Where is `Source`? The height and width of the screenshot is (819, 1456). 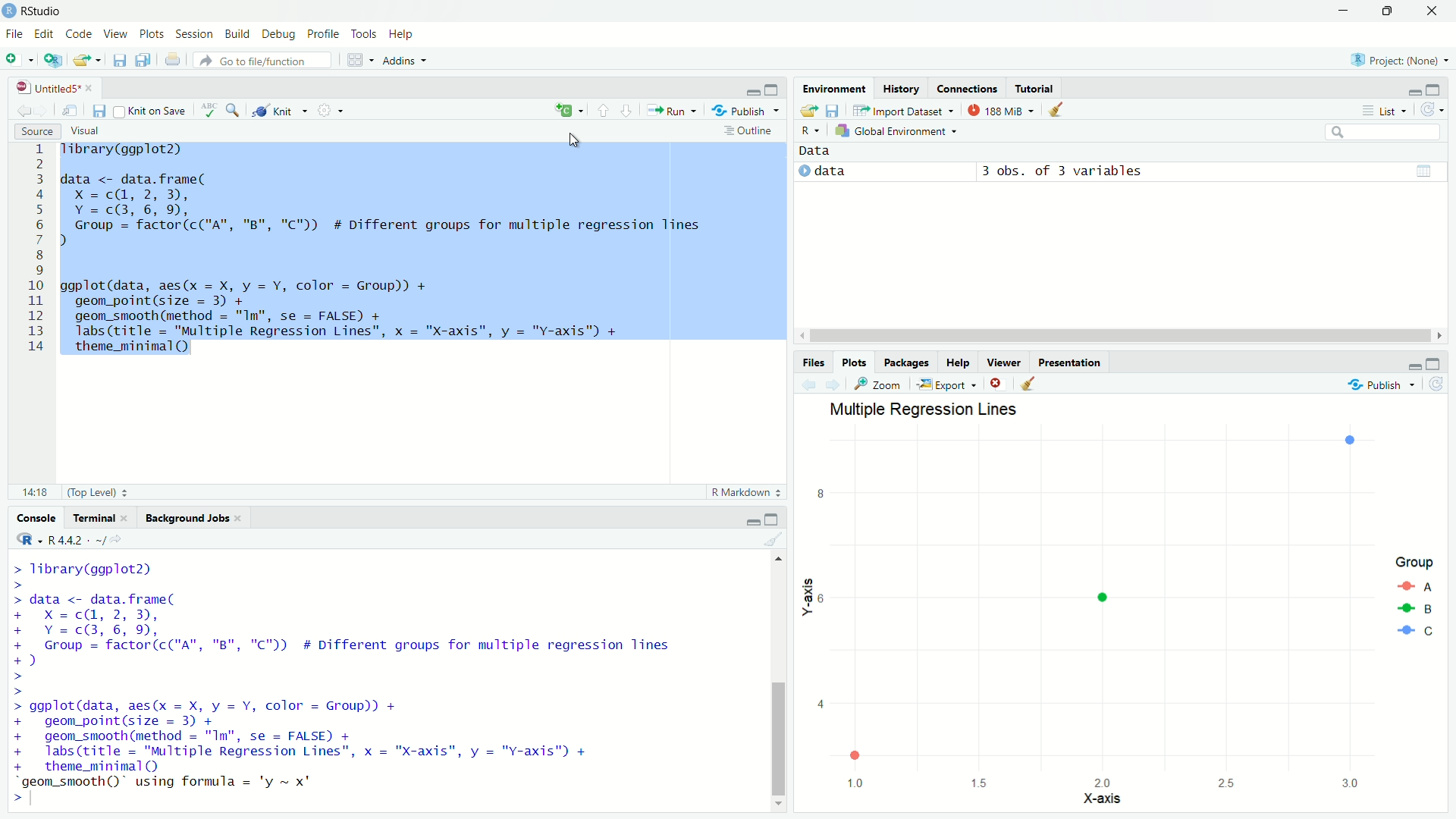
Source is located at coordinates (36, 132).